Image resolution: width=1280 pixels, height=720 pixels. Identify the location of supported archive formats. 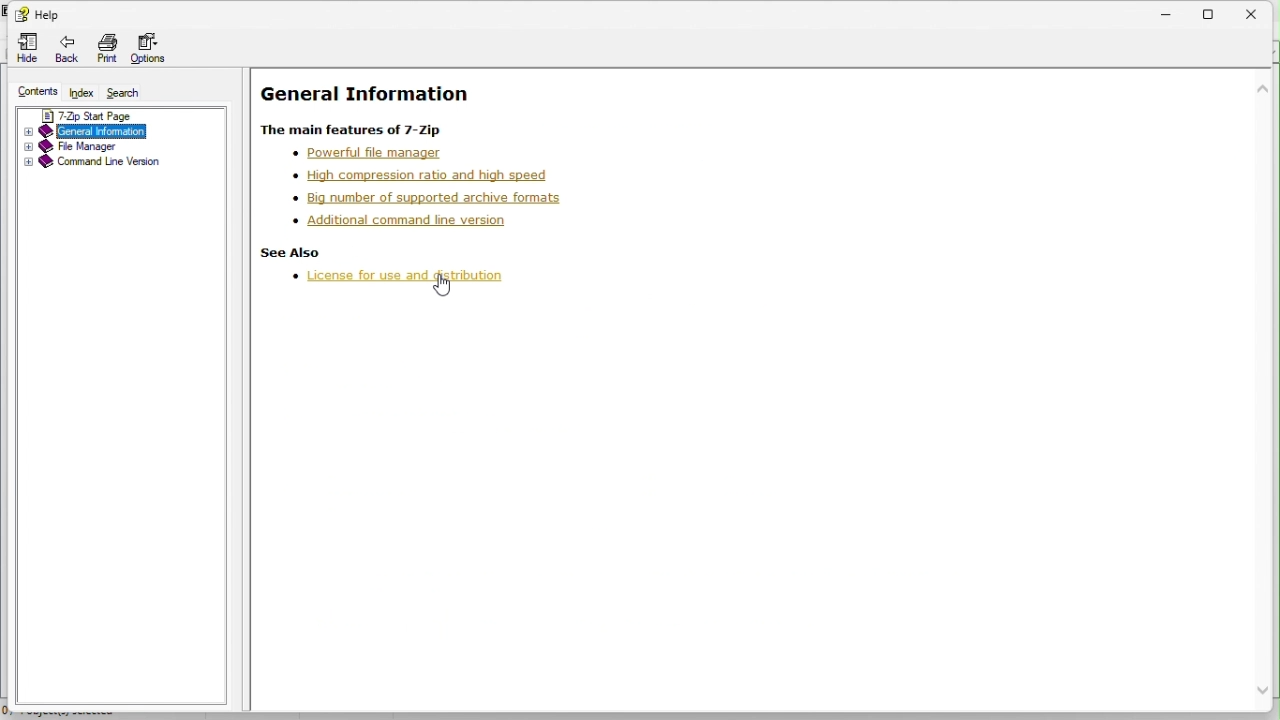
(426, 198).